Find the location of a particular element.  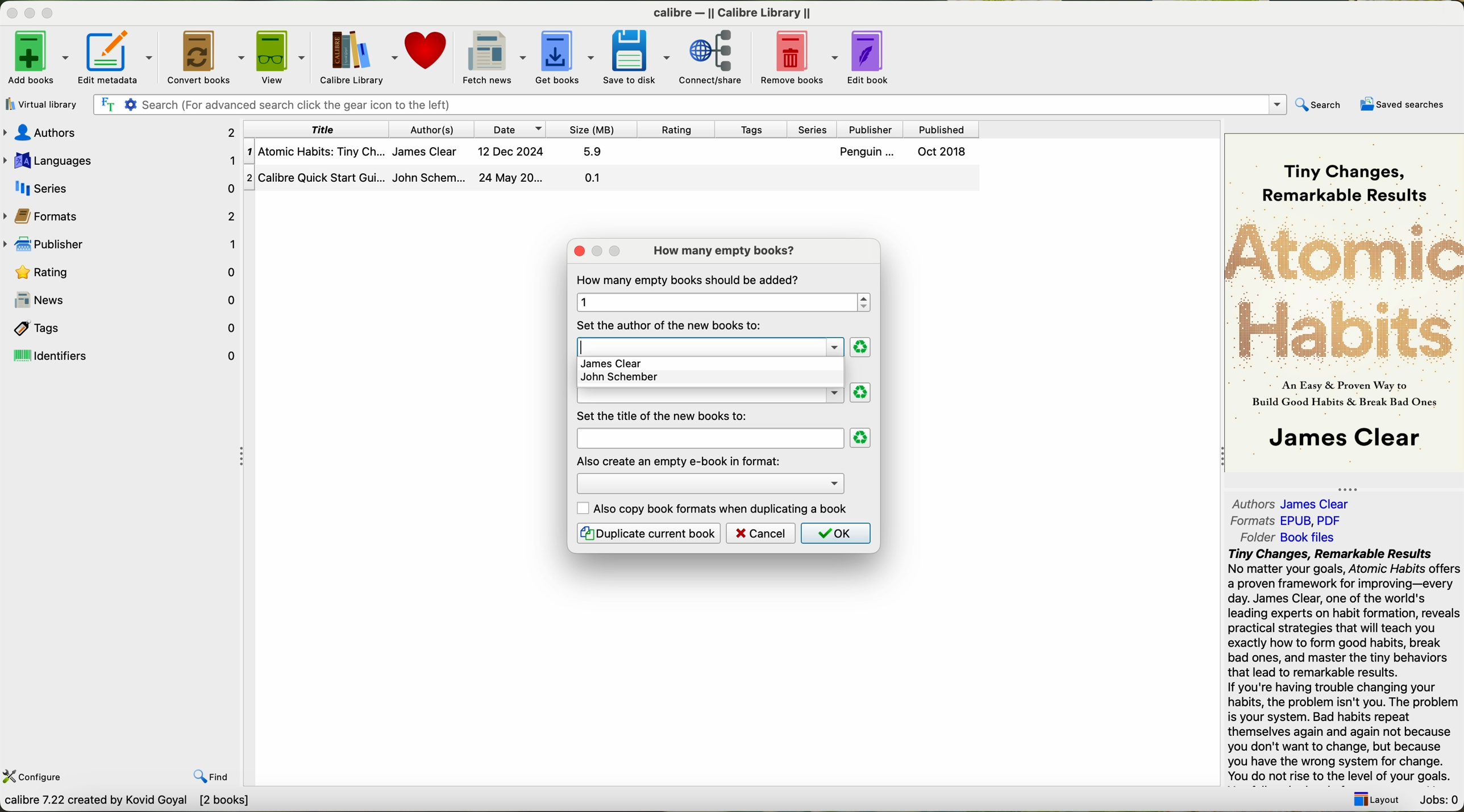

saved searches is located at coordinates (1401, 104).